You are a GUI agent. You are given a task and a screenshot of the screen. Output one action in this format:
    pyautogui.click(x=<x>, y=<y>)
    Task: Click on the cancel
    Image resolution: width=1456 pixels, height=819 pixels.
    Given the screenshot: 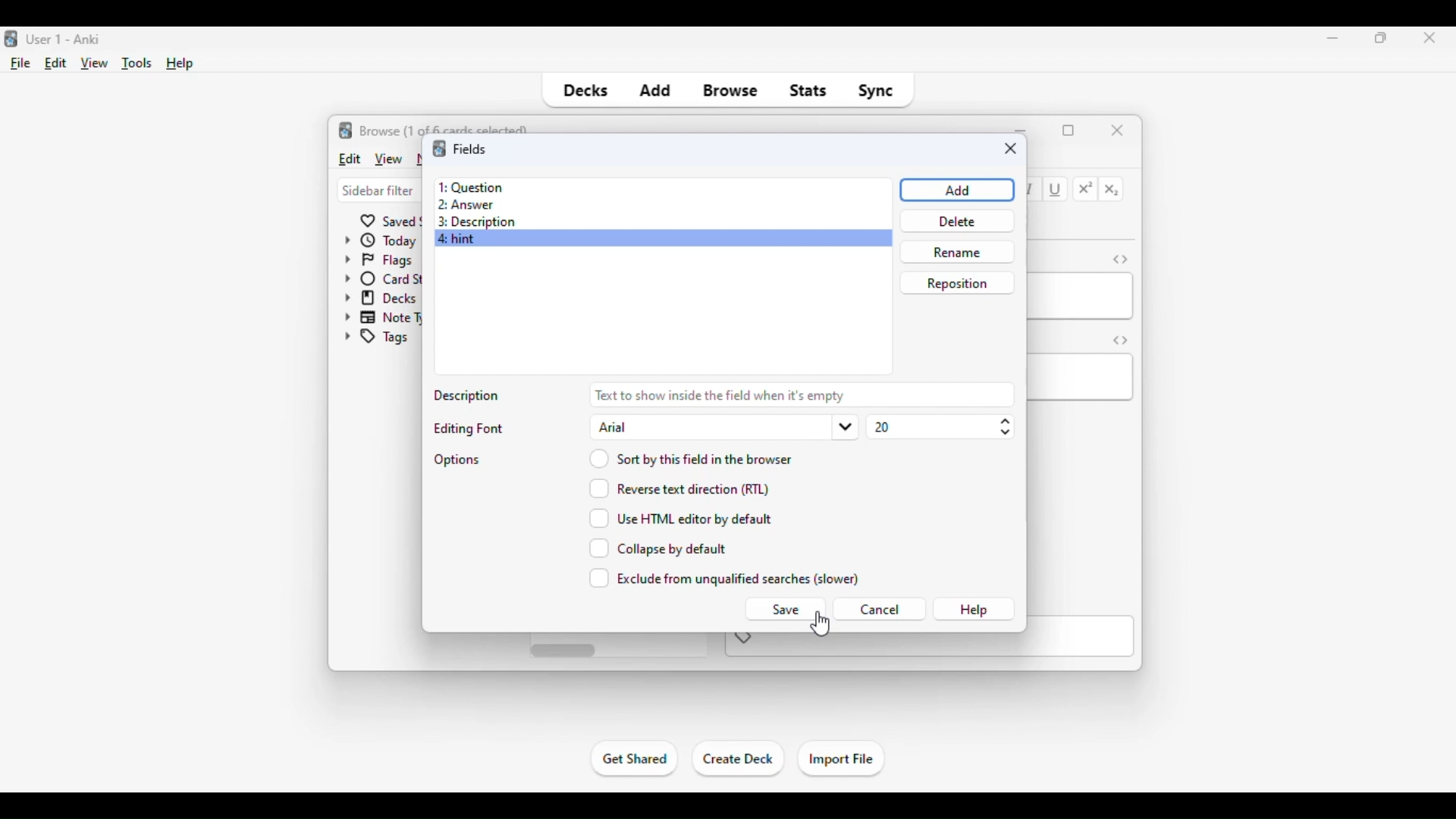 What is the action you would take?
    pyautogui.click(x=879, y=610)
    